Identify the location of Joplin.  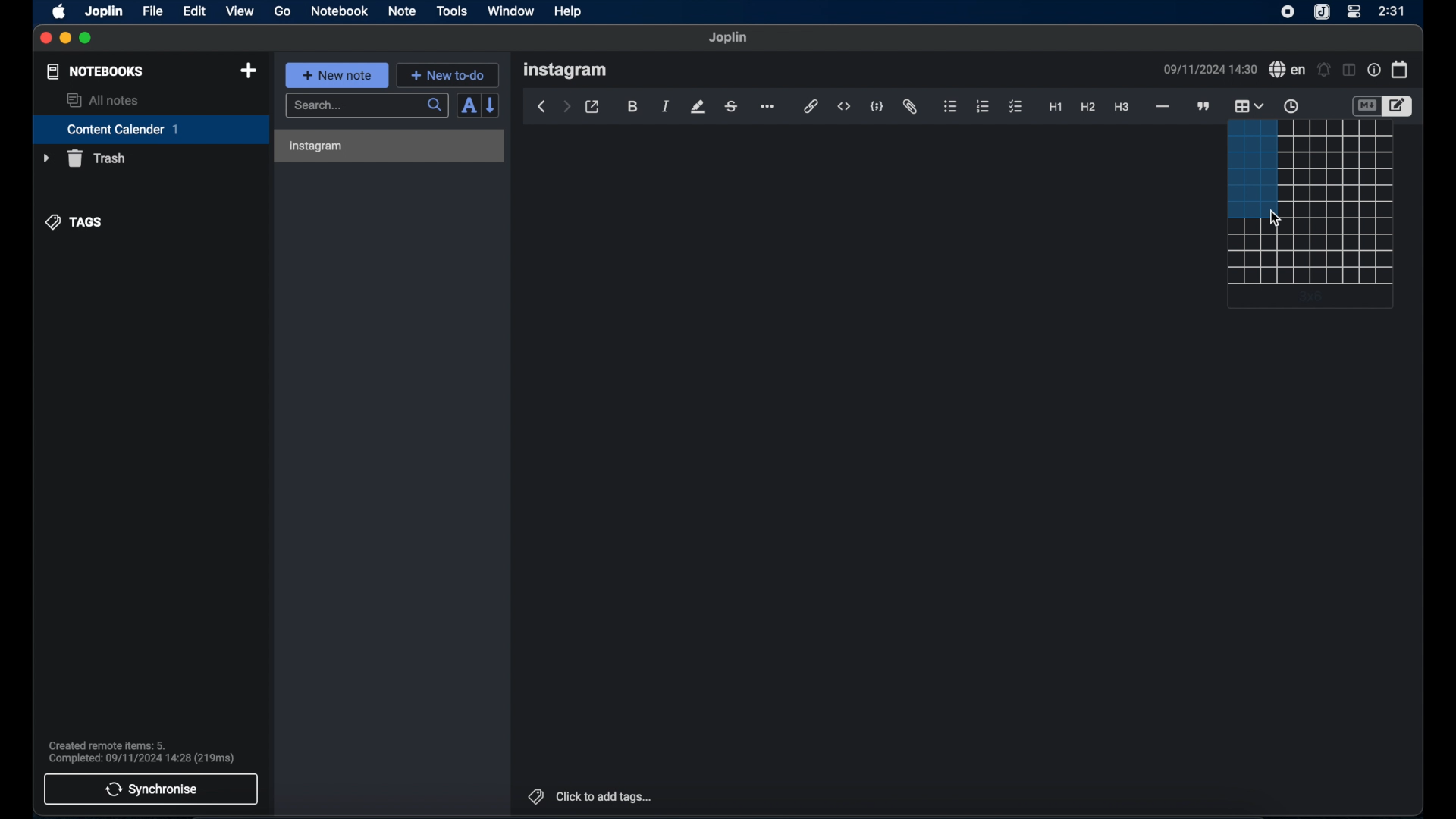
(729, 38).